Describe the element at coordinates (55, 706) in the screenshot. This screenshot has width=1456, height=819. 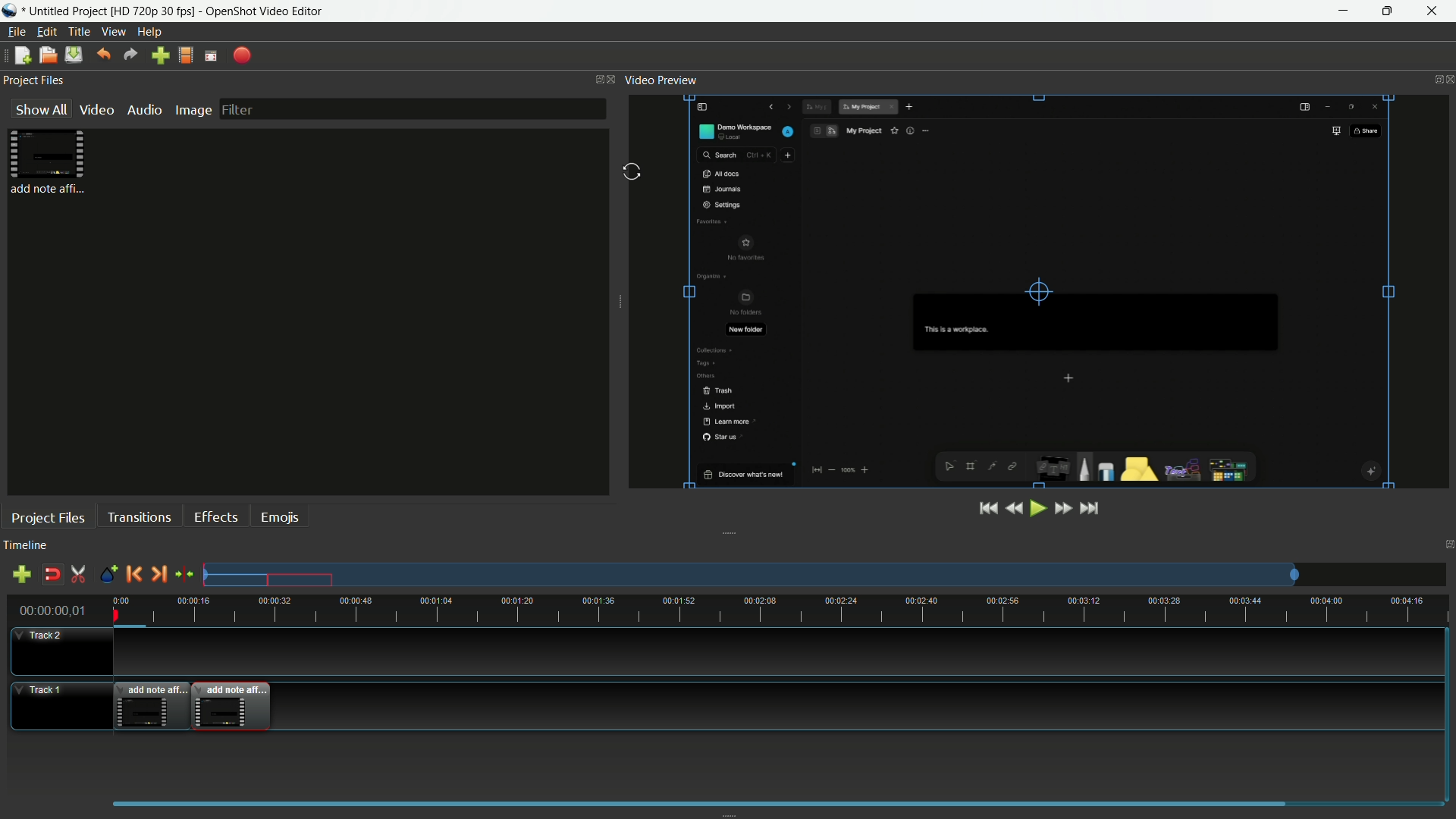
I see `track-1` at that location.